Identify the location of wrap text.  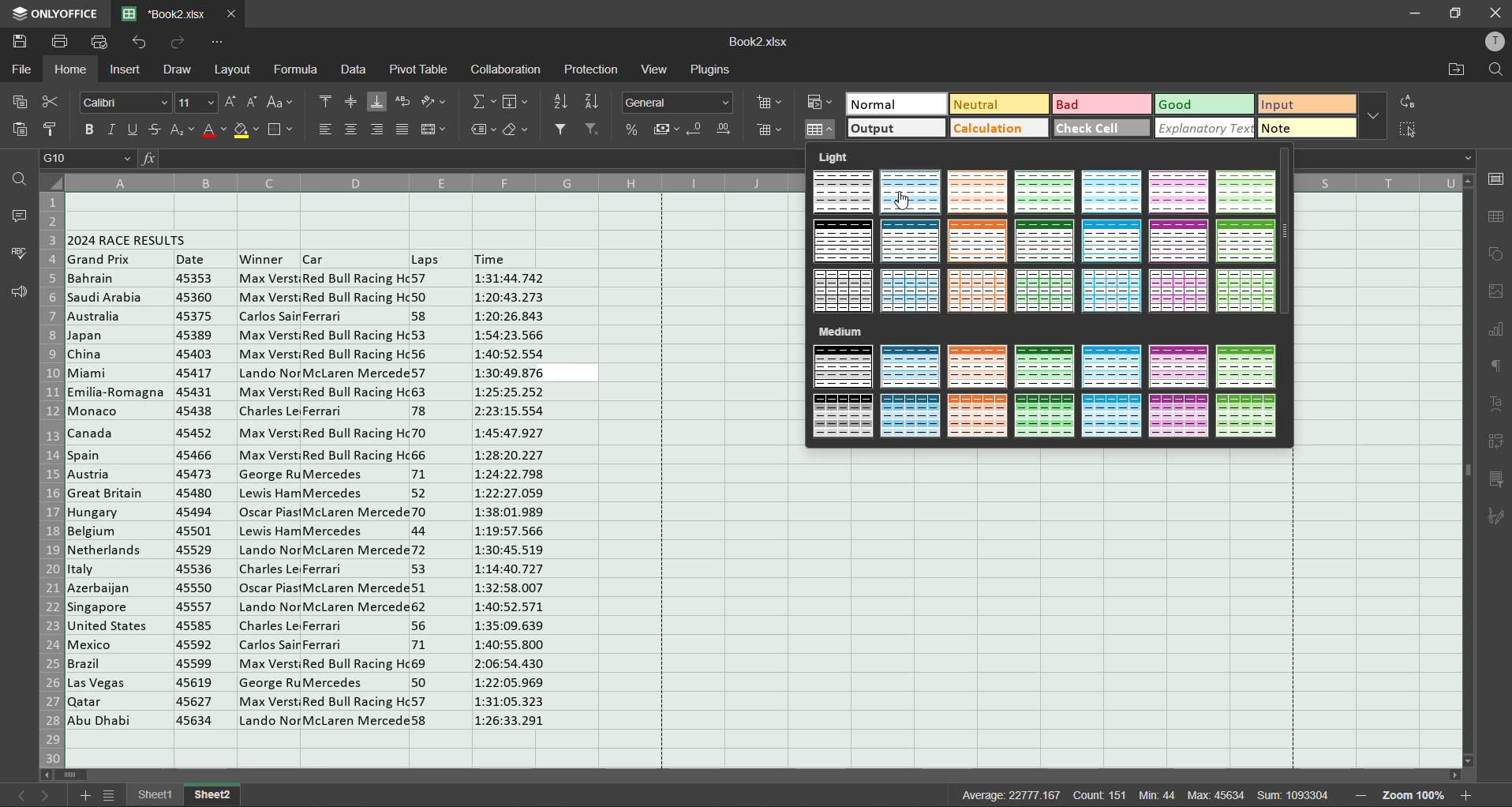
(405, 103).